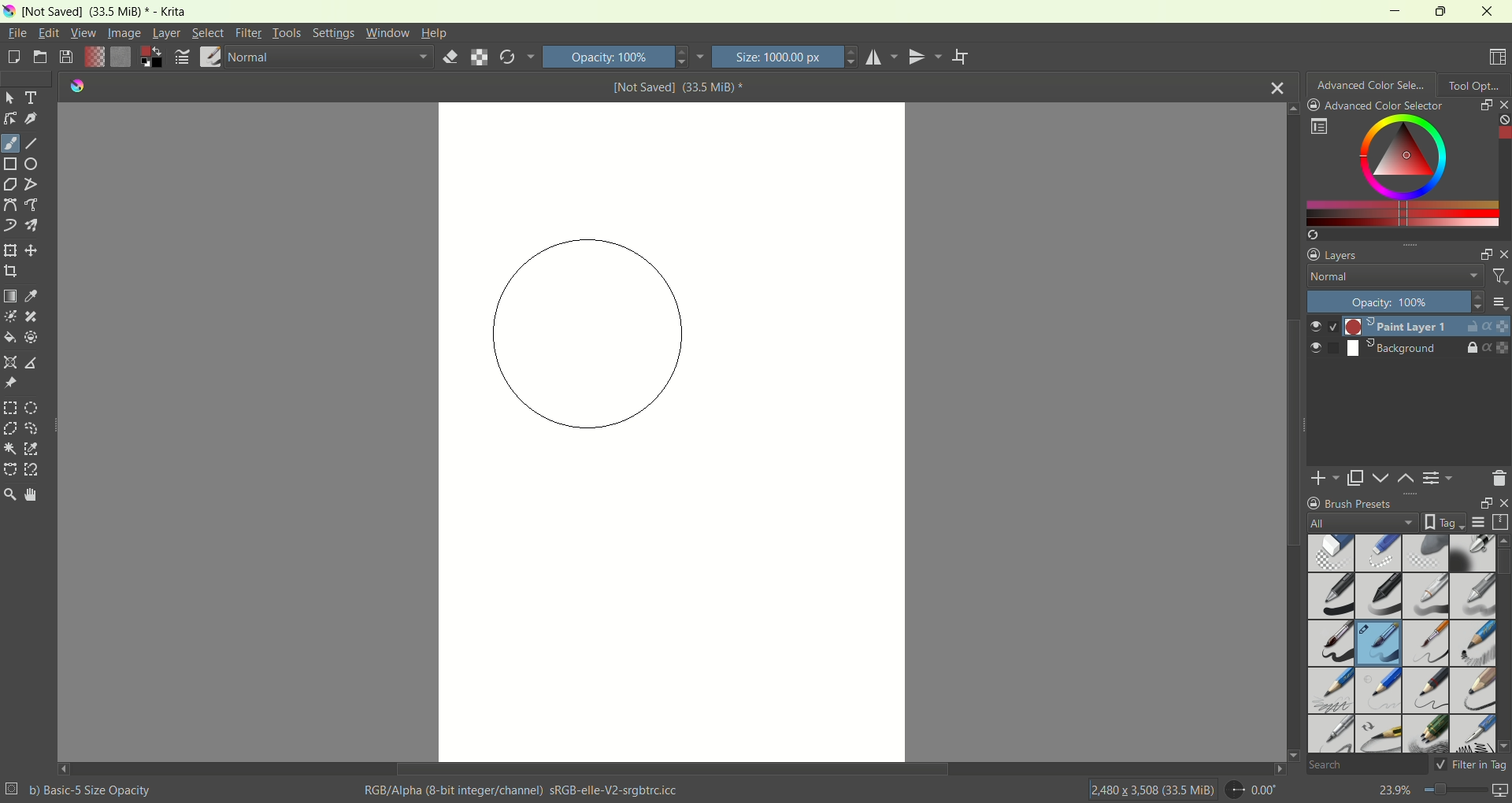 The width and height of the screenshot is (1512, 803). I want to click on polyline, so click(32, 183).